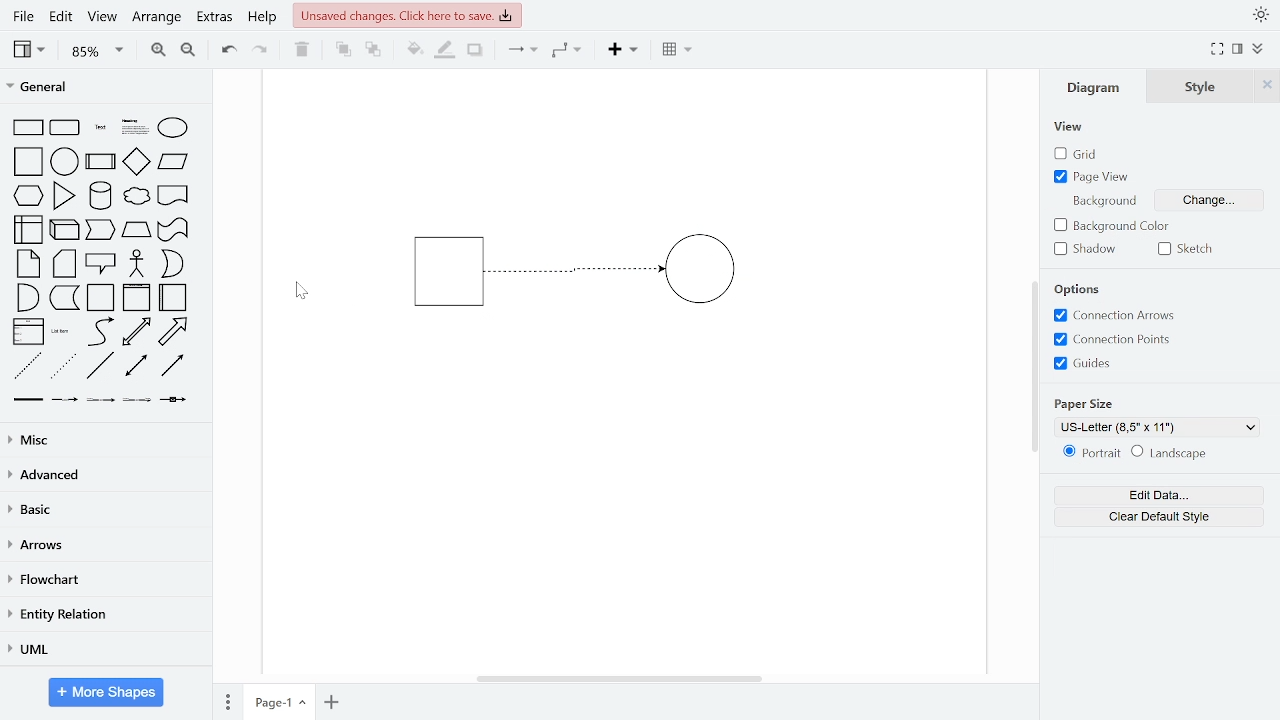 The image size is (1280, 720). What do you see at coordinates (104, 509) in the screenshot?
I see `basic` at bounding box center [104, 509].